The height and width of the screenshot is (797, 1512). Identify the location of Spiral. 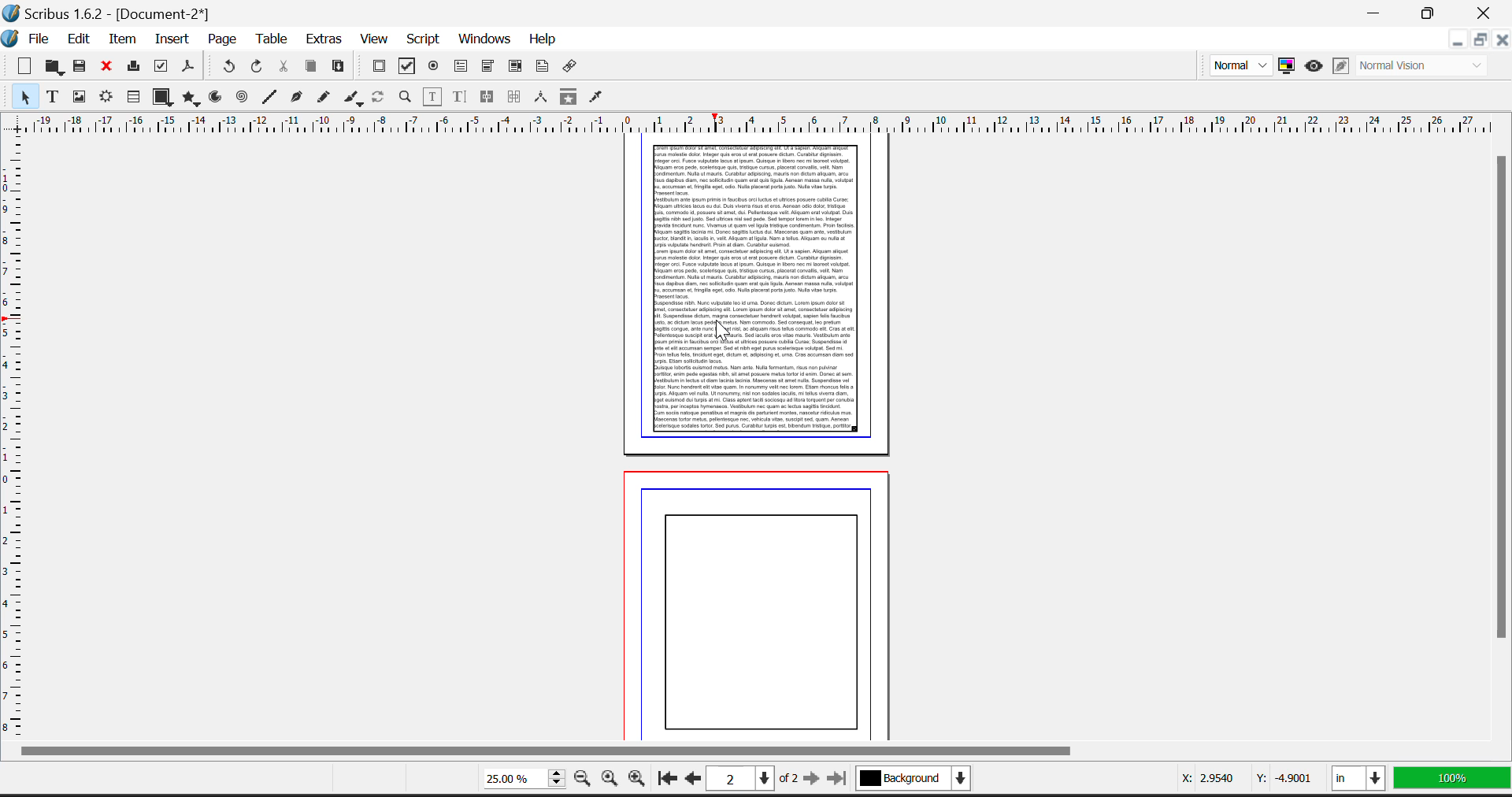
(243, 98).